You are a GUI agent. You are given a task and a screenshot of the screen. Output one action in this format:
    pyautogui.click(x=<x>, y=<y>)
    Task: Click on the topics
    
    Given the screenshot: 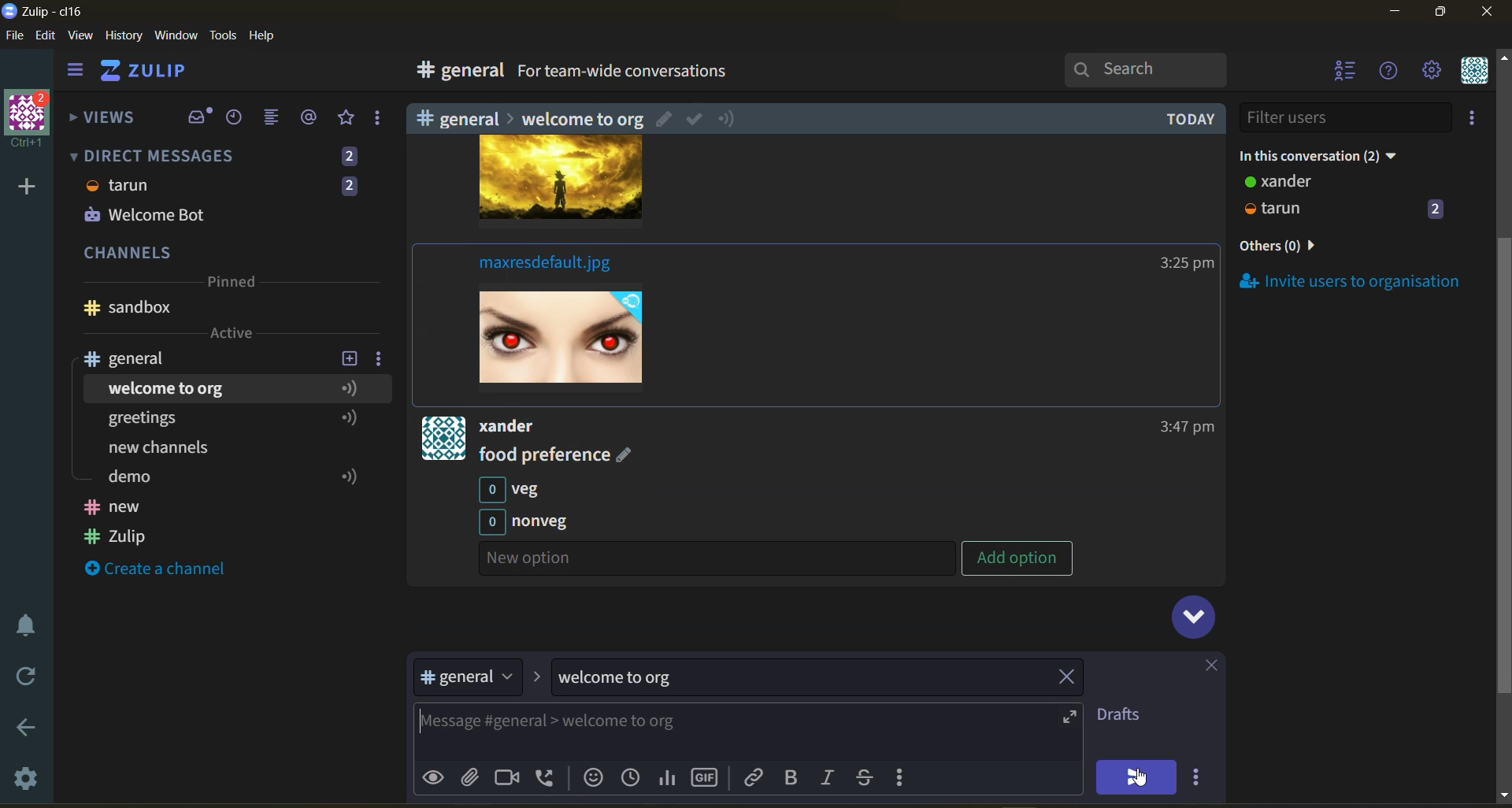 What is the action you would take?
    pyautogui.click(x=228, y=436)
    